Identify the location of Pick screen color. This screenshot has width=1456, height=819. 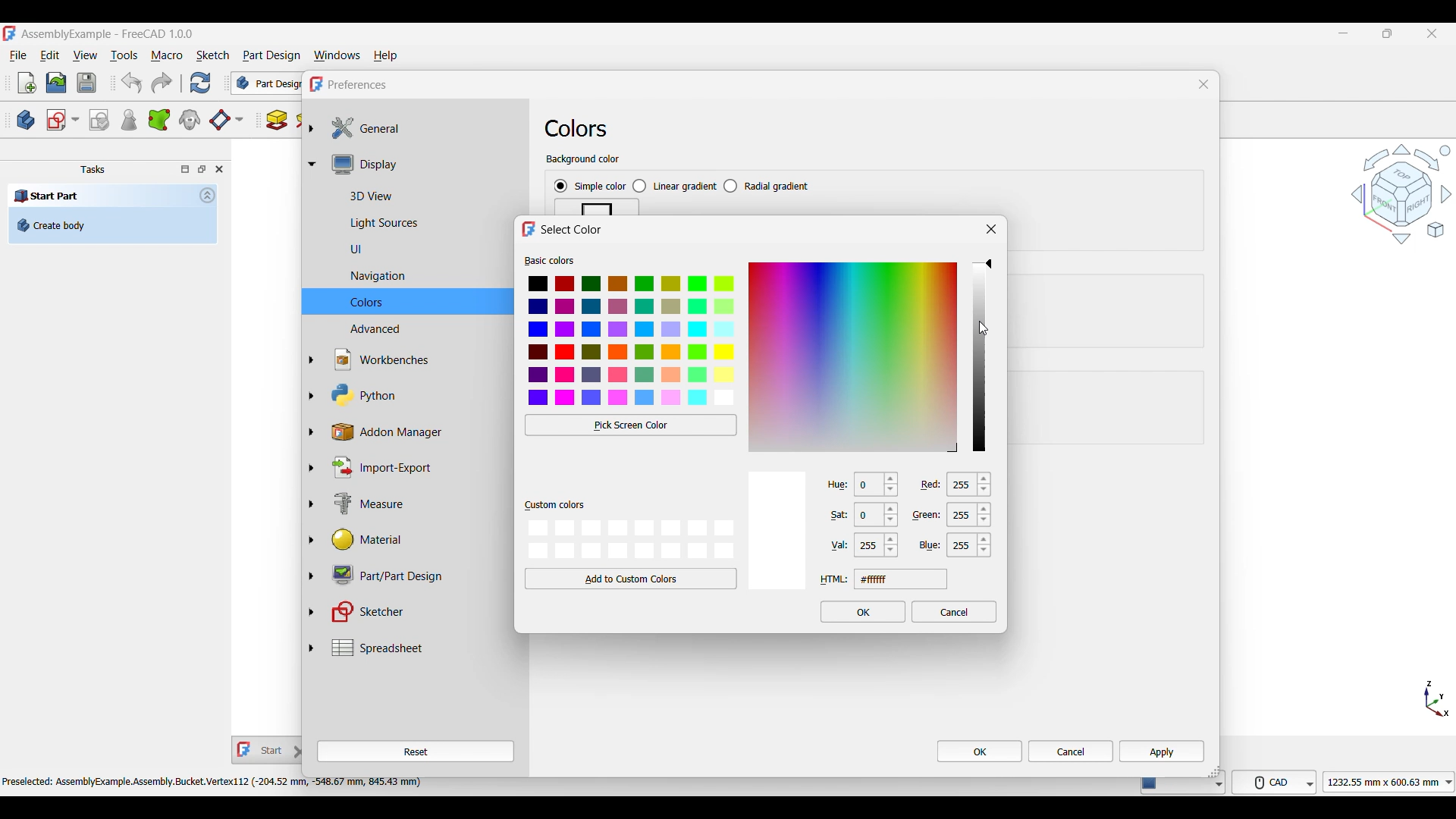
(632, 425).